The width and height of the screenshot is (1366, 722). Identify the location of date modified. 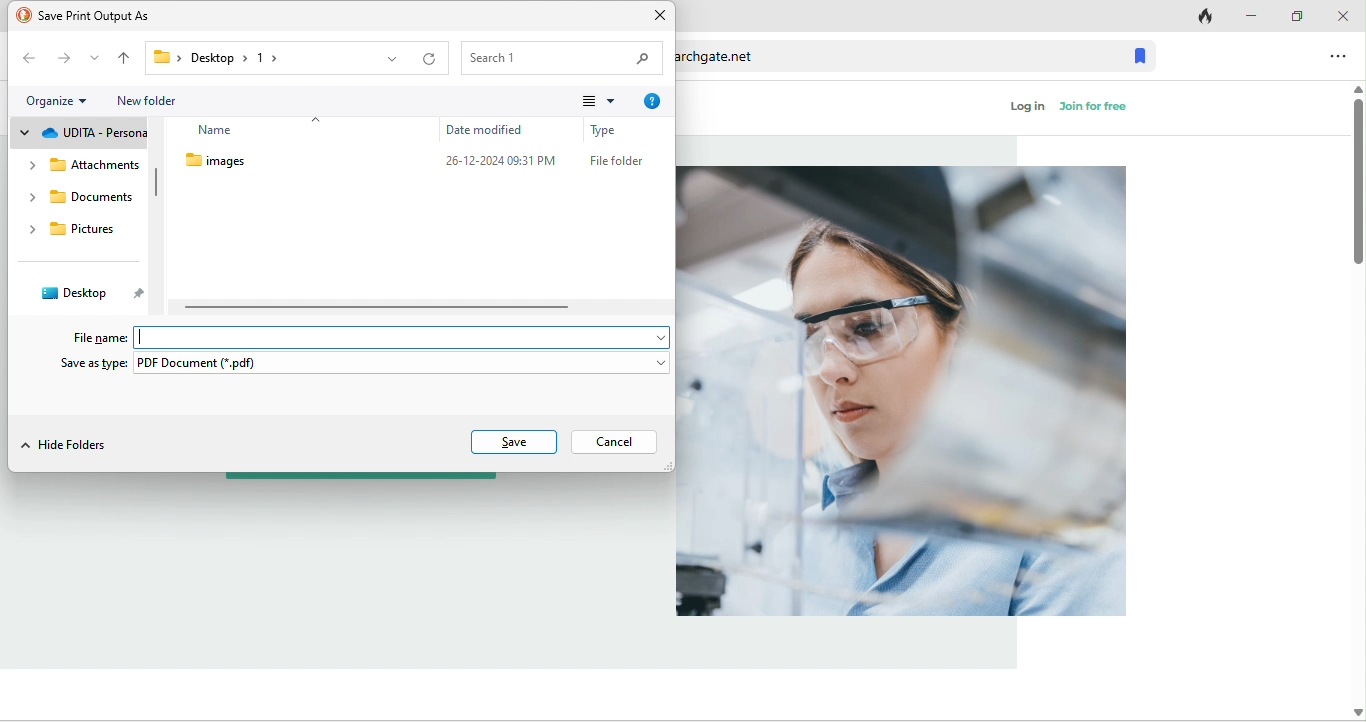
(502, 130).